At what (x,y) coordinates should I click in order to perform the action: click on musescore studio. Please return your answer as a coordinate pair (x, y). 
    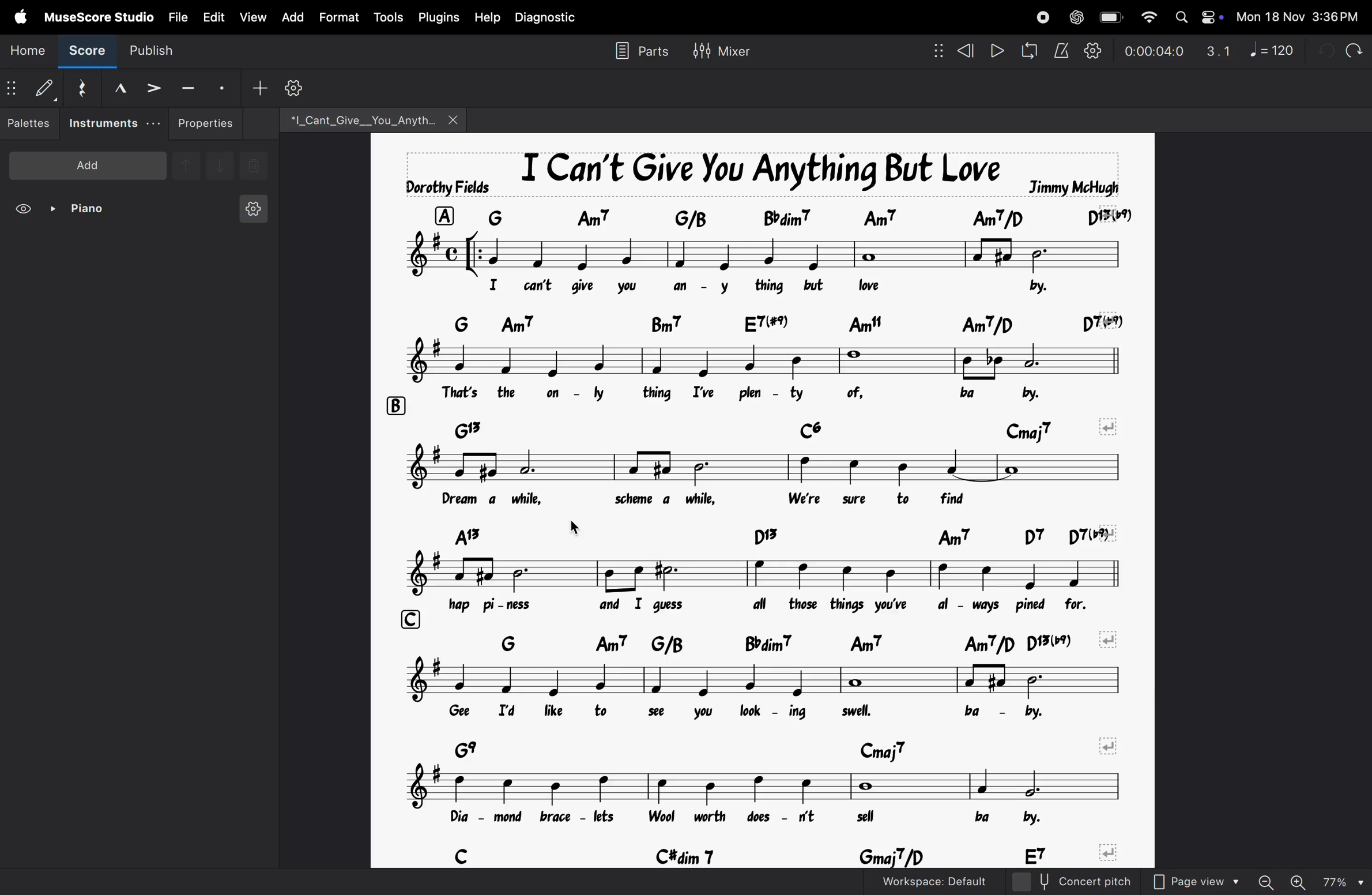
    Looking at the image, I should click on (96, 16).